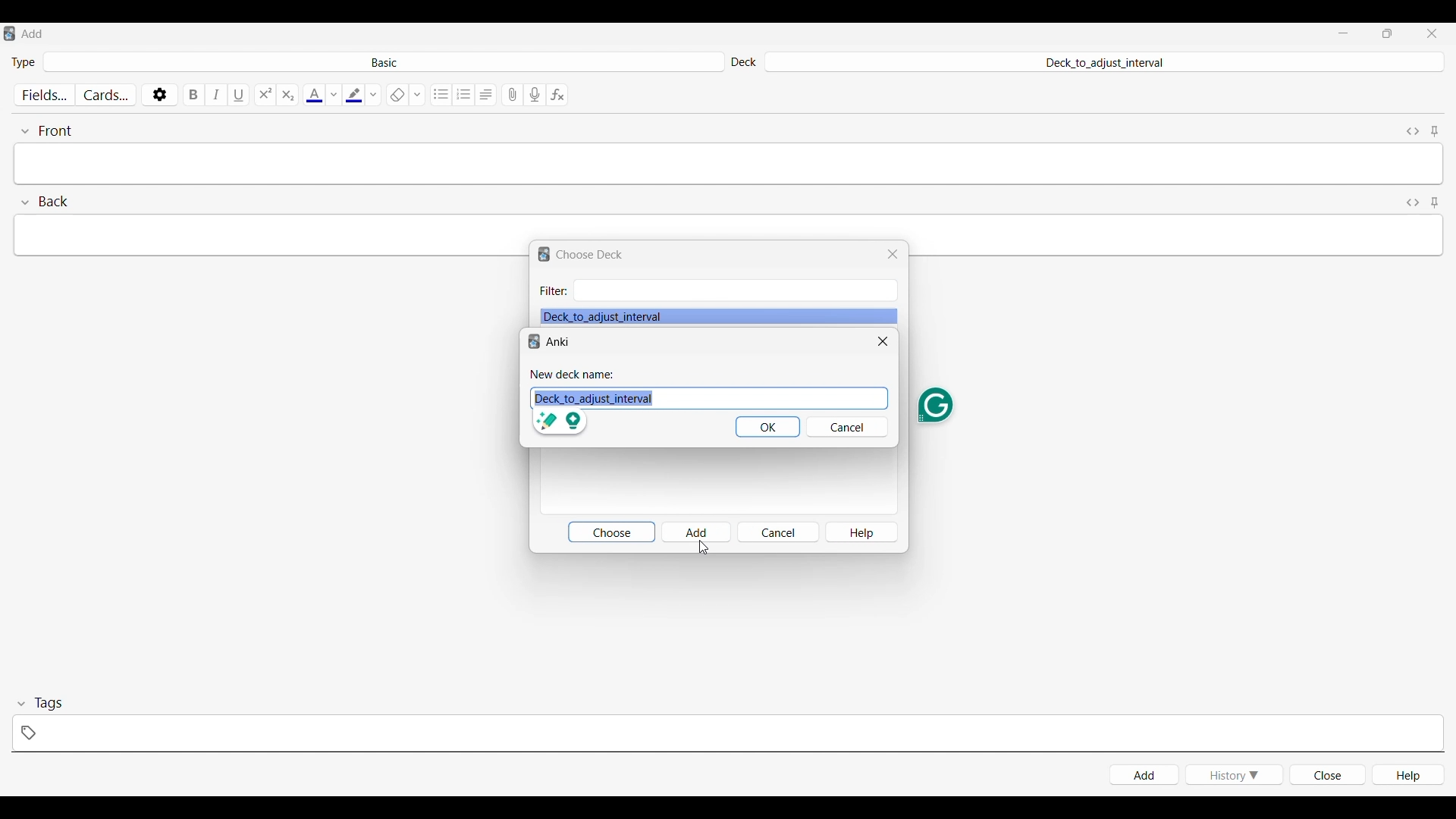 The width and height of the screenshot is (1456, 819). Describe the element at coordinates (486, 95) in the screenshot. I see `Alignment` at that location.